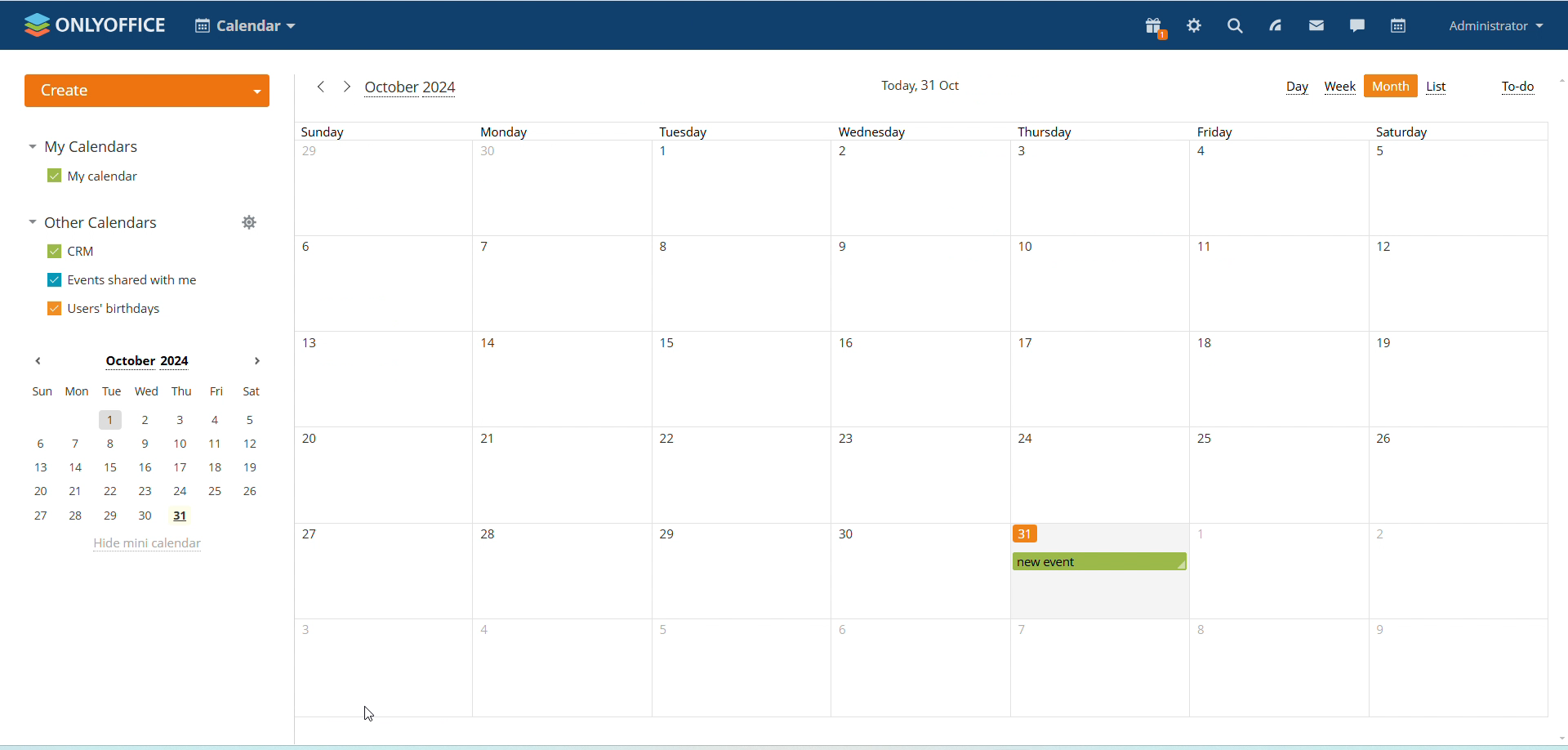 The width and height of the screenshot is (1568, 750). I want to click on cursor, so click(367, 714).